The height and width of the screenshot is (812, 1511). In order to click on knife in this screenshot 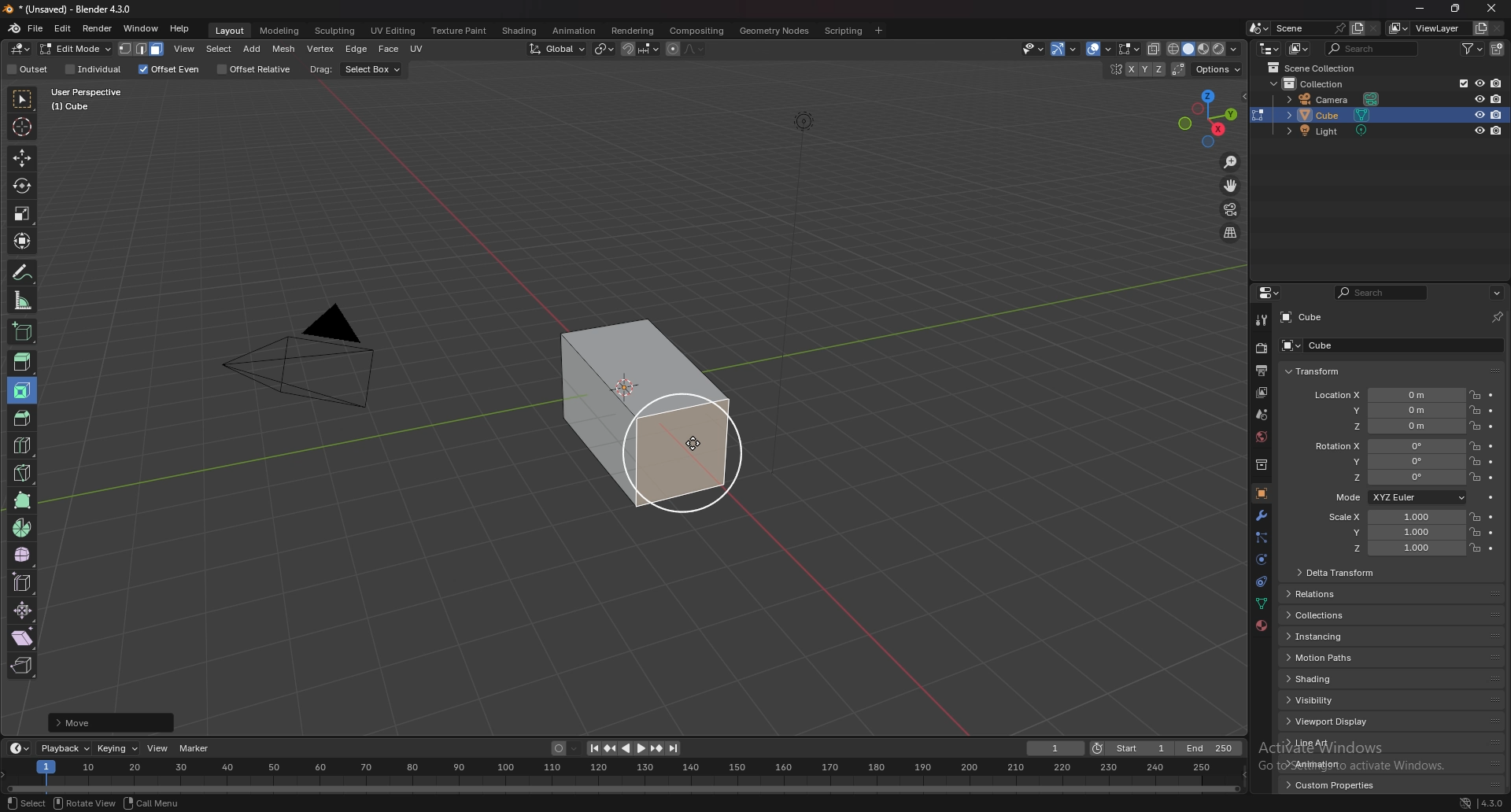, I will do `click(24, 472)`.